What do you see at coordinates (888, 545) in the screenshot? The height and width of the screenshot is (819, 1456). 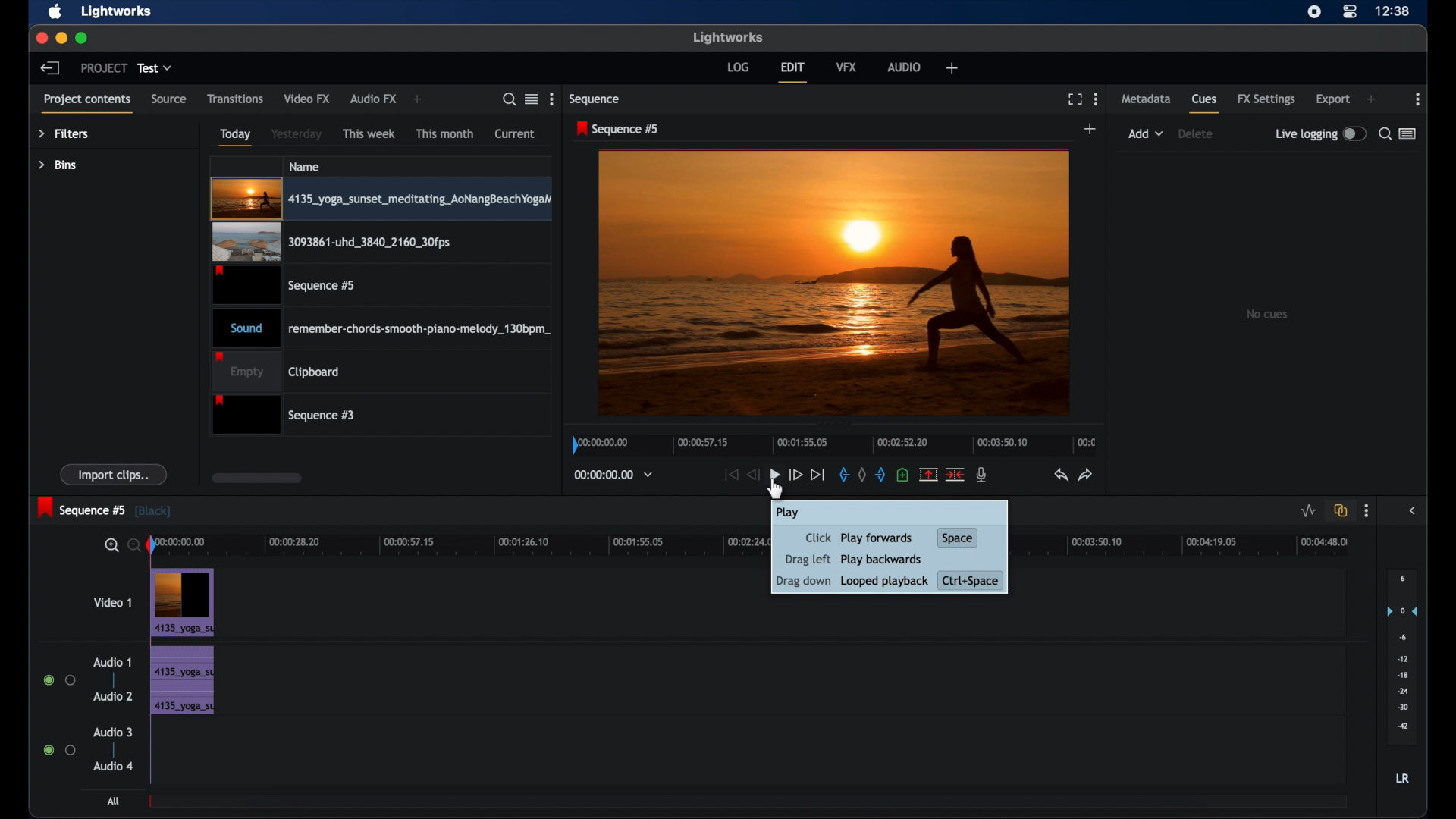 I see `Click Play forwards Space Drag left Play backwards Drag down Looped playback  Ctrl+Space` at bounding box center [888, 545].